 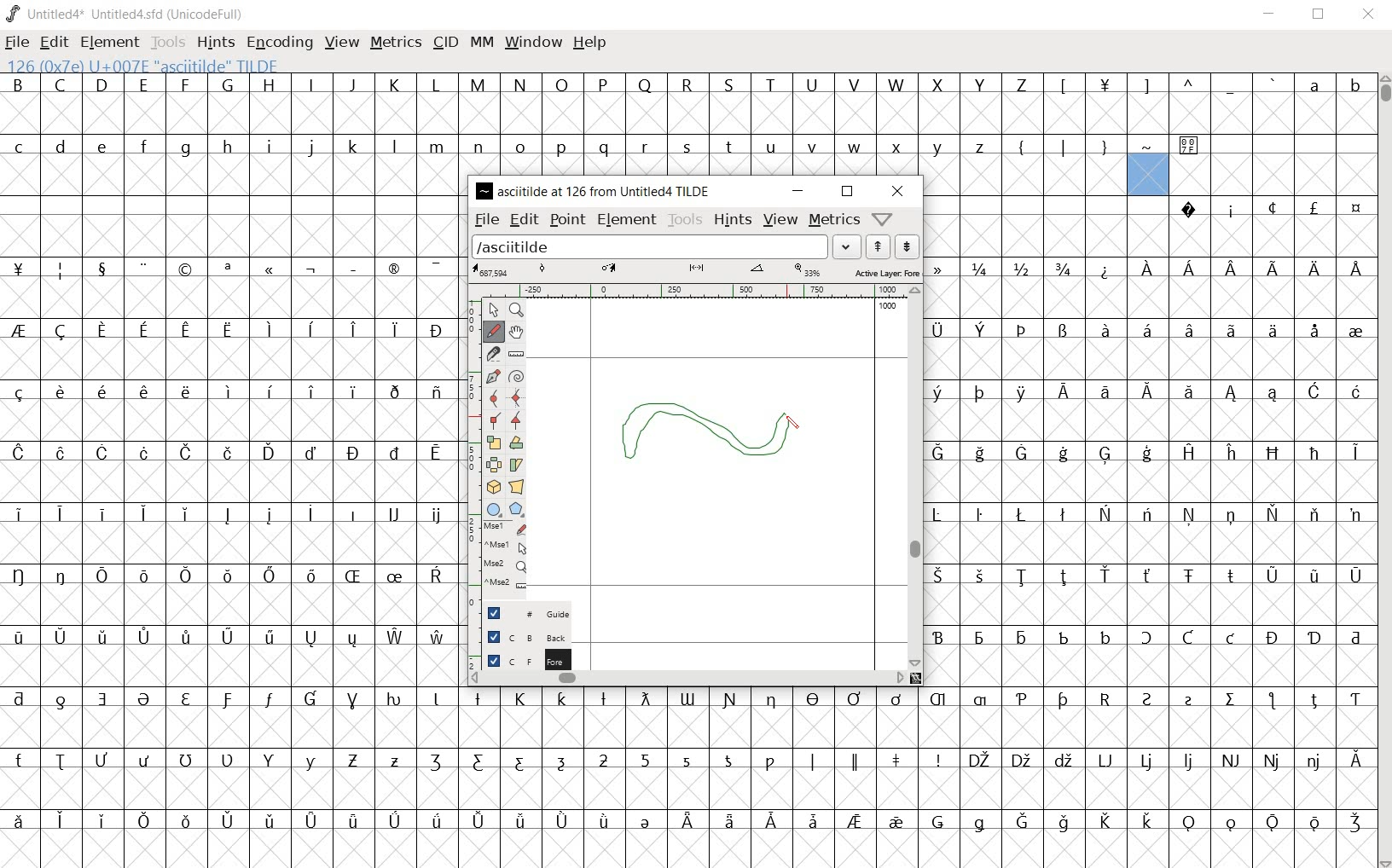 What do you see at coordinates (721, 435) in the screenshot?
I see `designing tilde ascent` at bounding box center [721, 435].